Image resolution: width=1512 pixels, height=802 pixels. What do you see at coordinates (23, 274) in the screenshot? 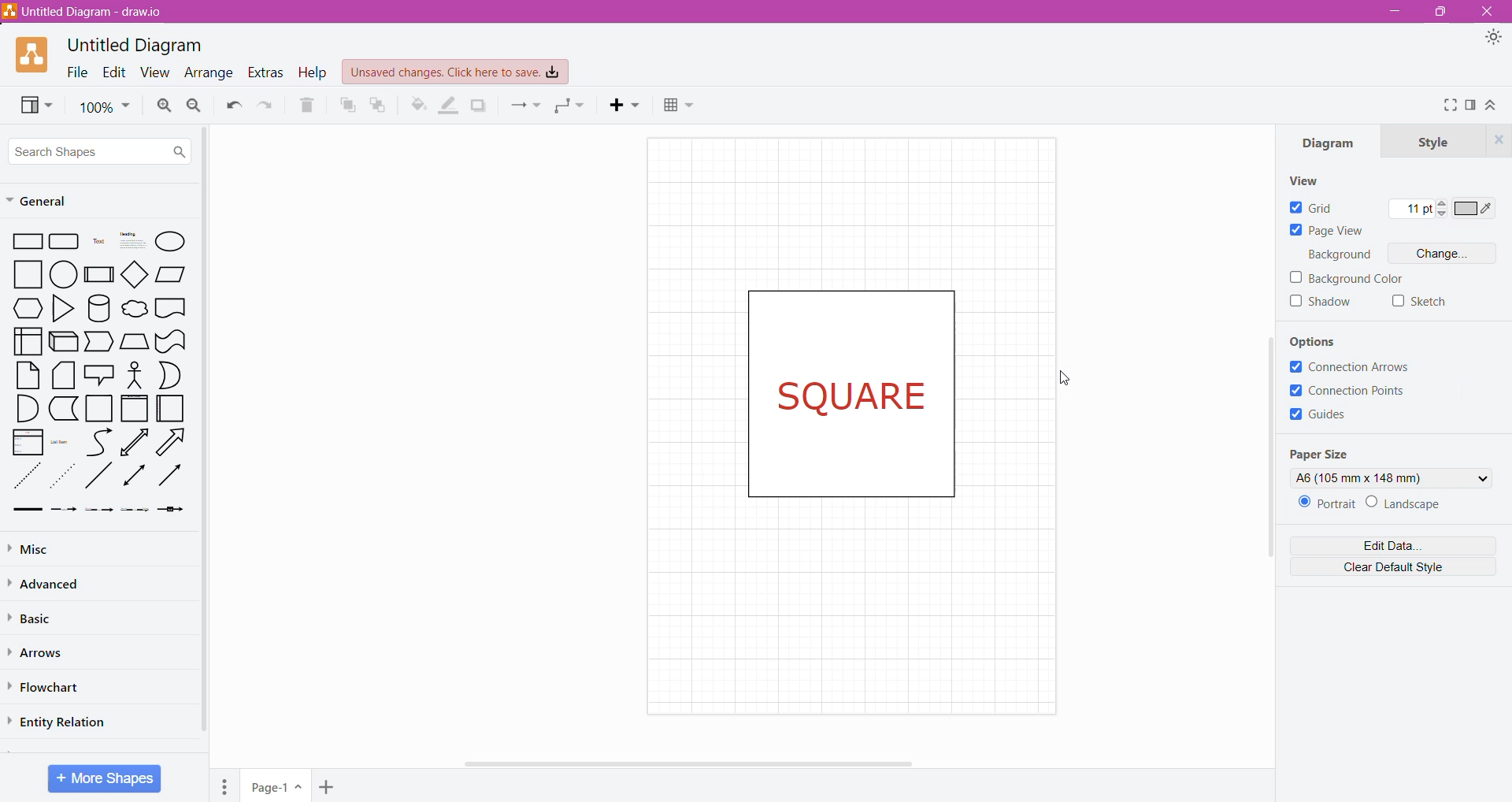
I see `square` at bounding box center [23, 274].